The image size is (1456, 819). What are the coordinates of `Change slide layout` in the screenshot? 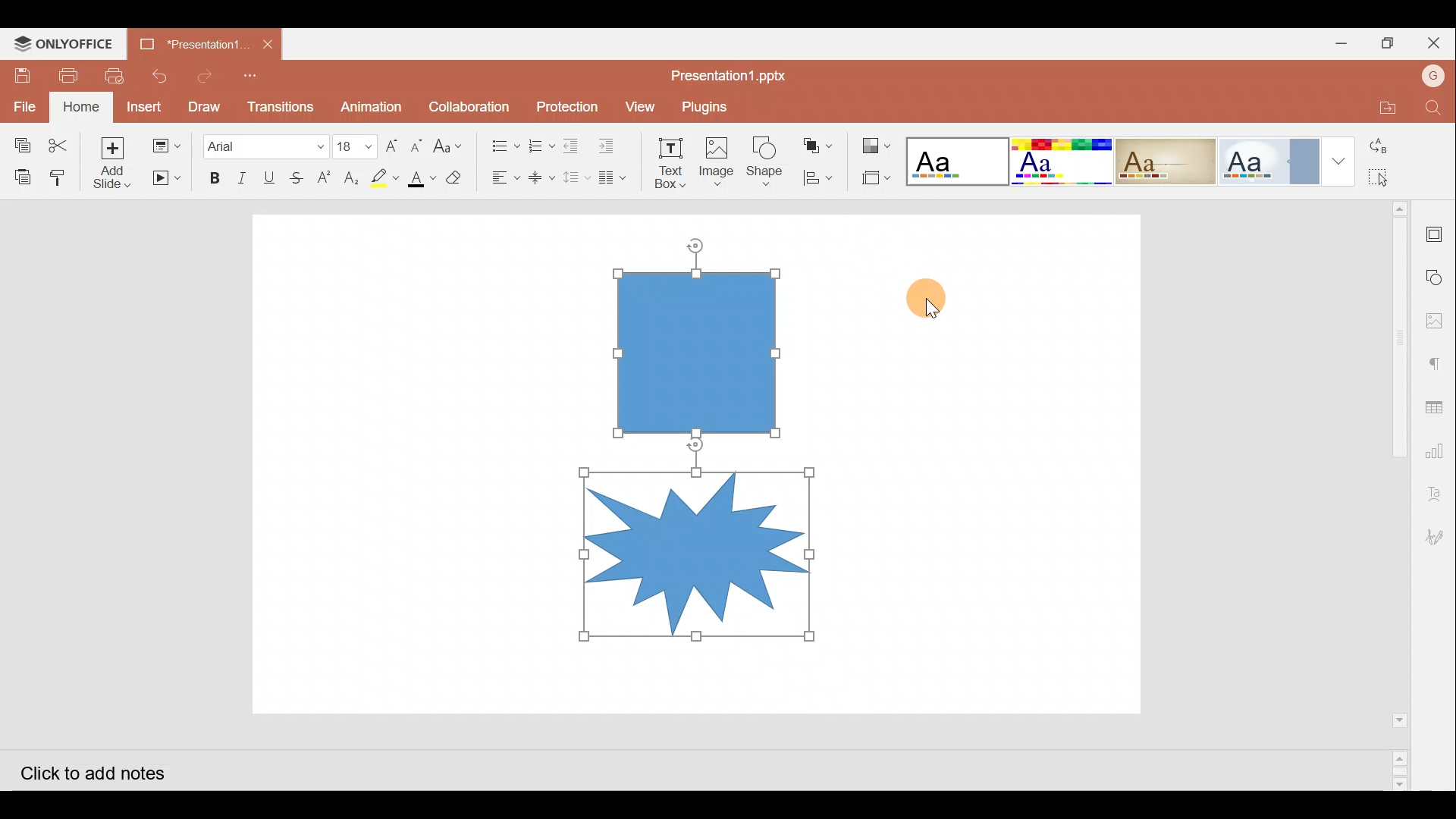 It's located at (166, 144).